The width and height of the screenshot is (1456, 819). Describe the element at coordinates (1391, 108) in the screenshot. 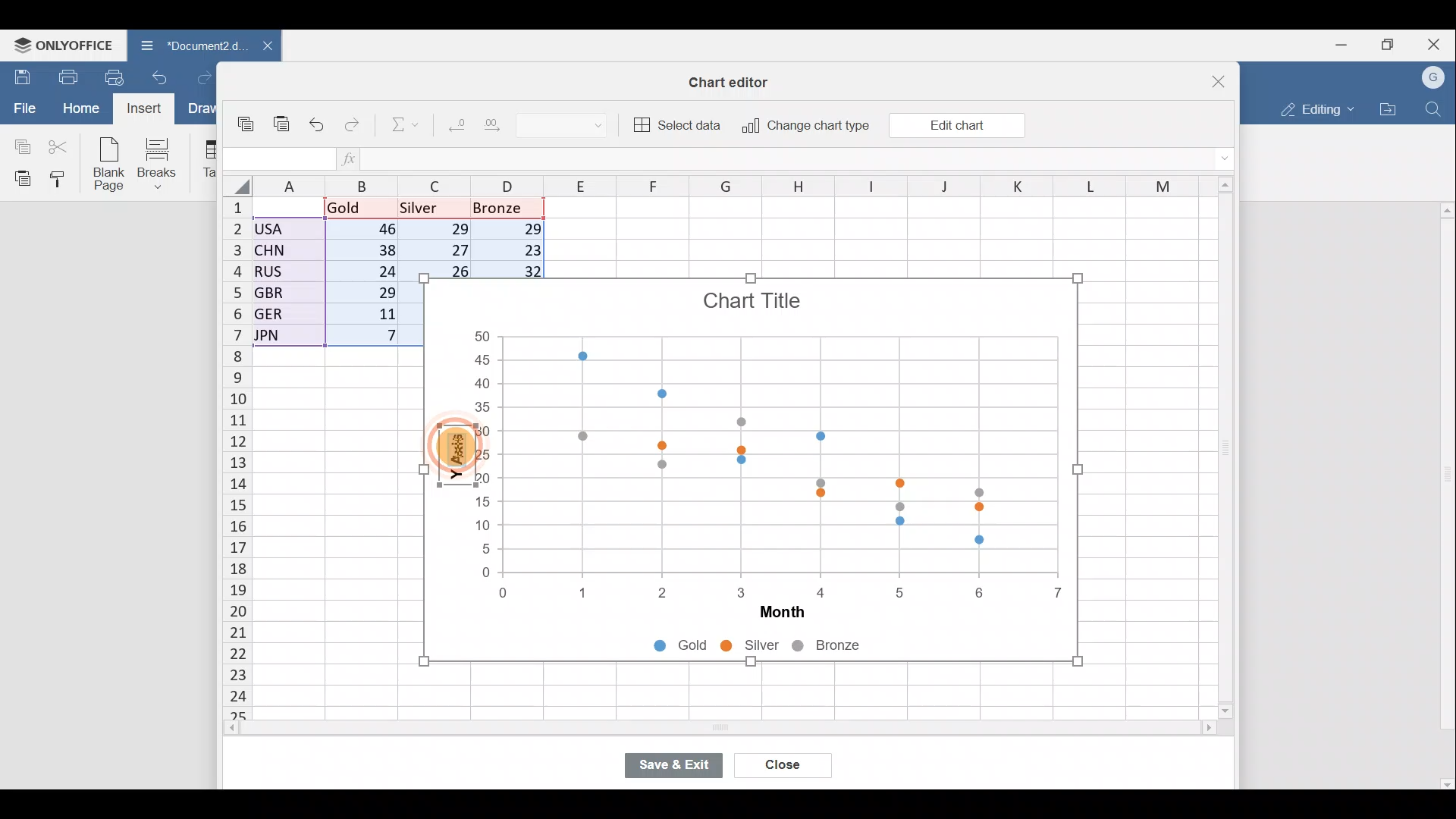

I see `Open file location` at that location.